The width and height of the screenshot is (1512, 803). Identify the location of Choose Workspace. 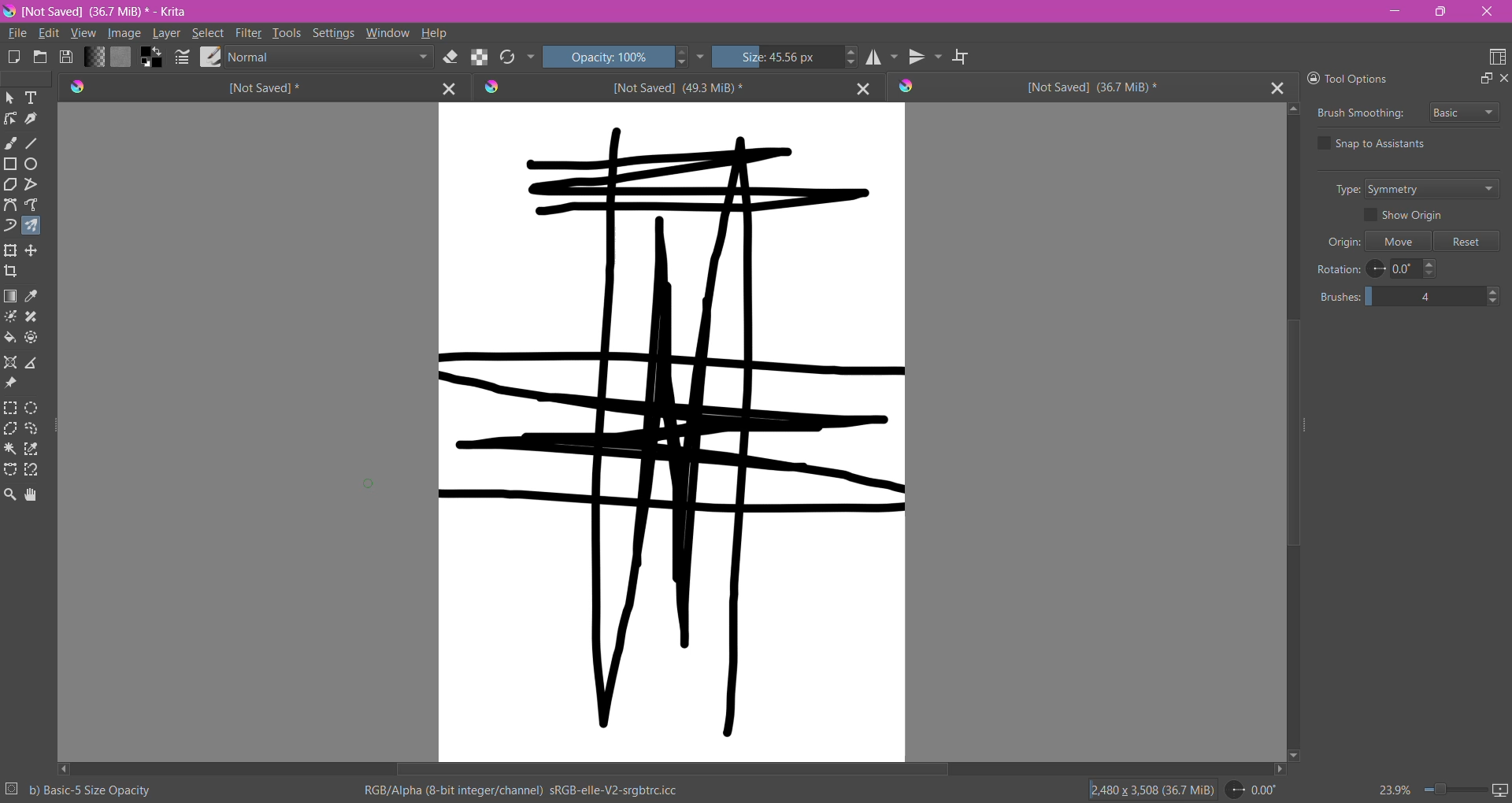
(1496, 57).